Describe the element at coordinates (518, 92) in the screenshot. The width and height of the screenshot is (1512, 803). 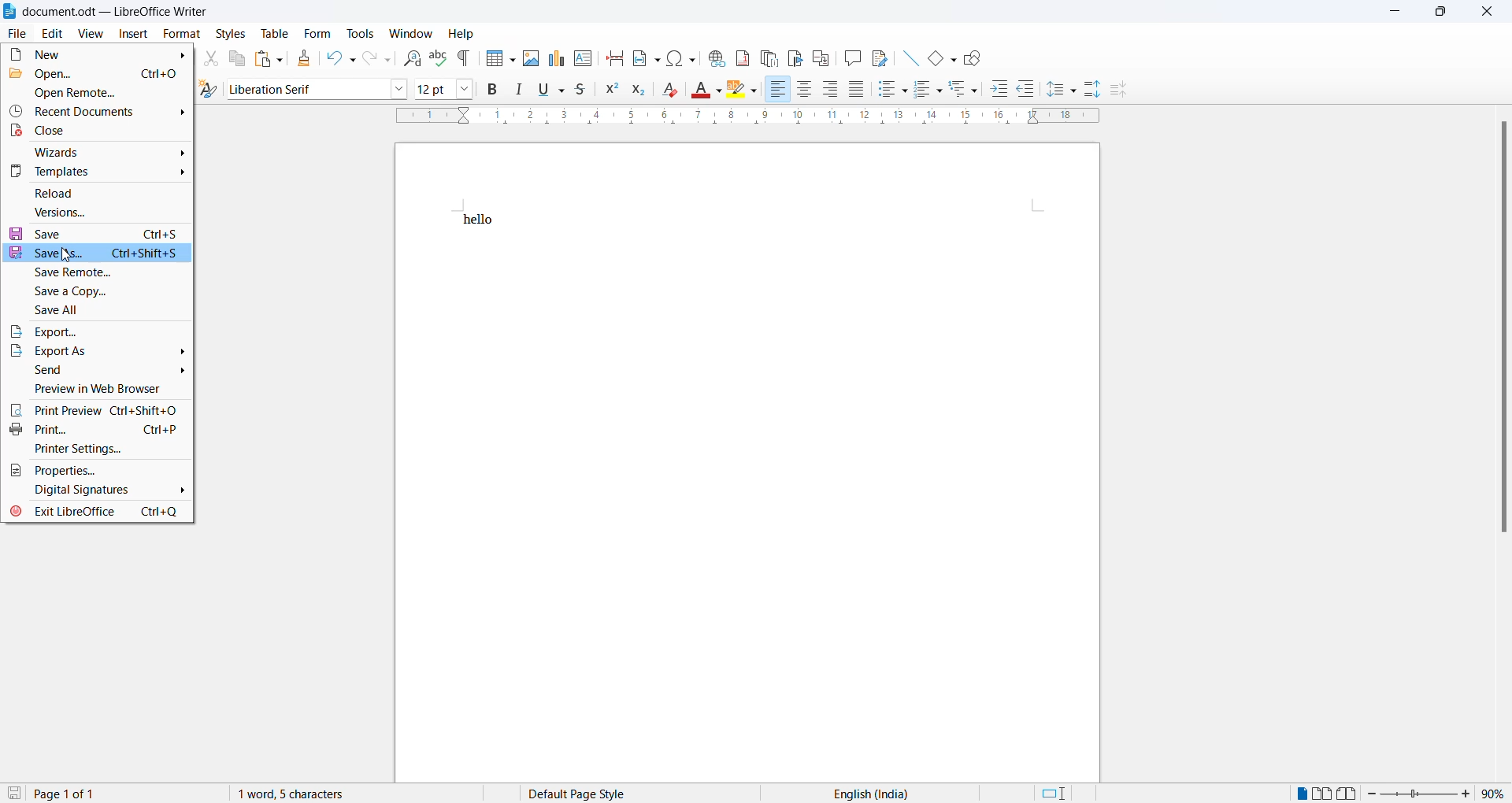
I see `Italic` at that location.